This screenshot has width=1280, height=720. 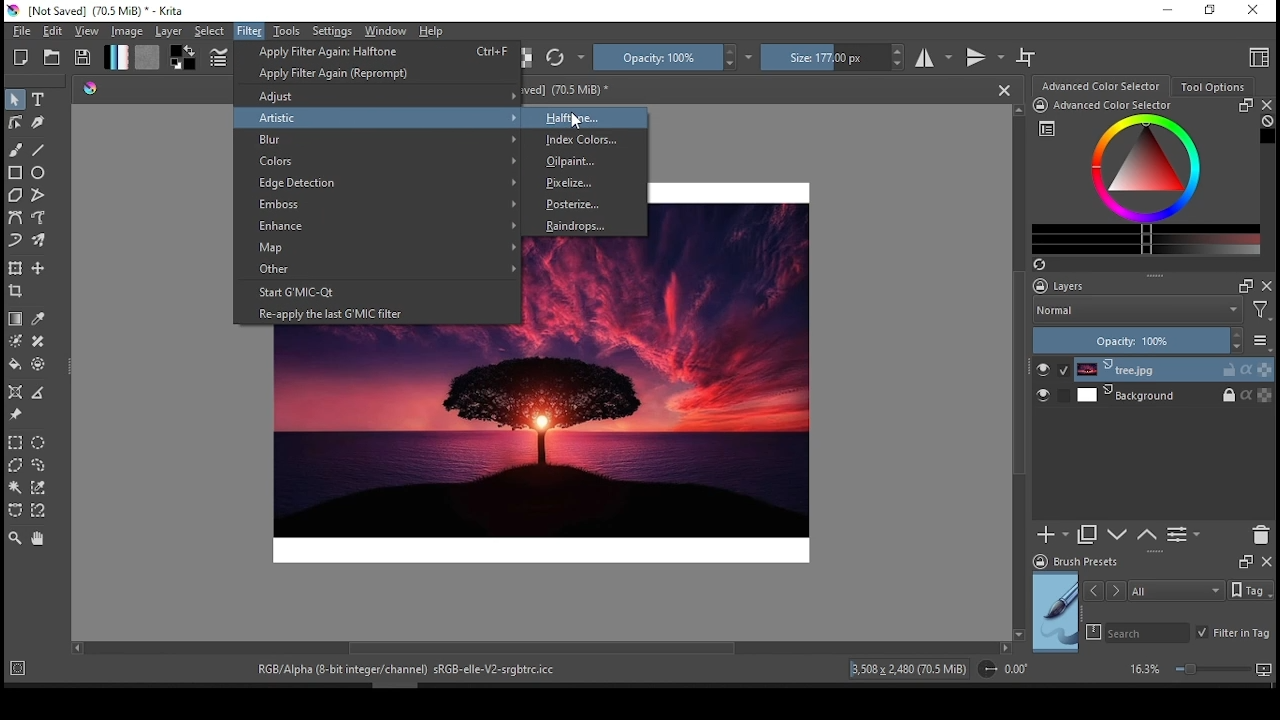 What do you see at coordinates (38, 340) in the screenshot?
I see `smart patch tool` at bounding box center [38, 340].